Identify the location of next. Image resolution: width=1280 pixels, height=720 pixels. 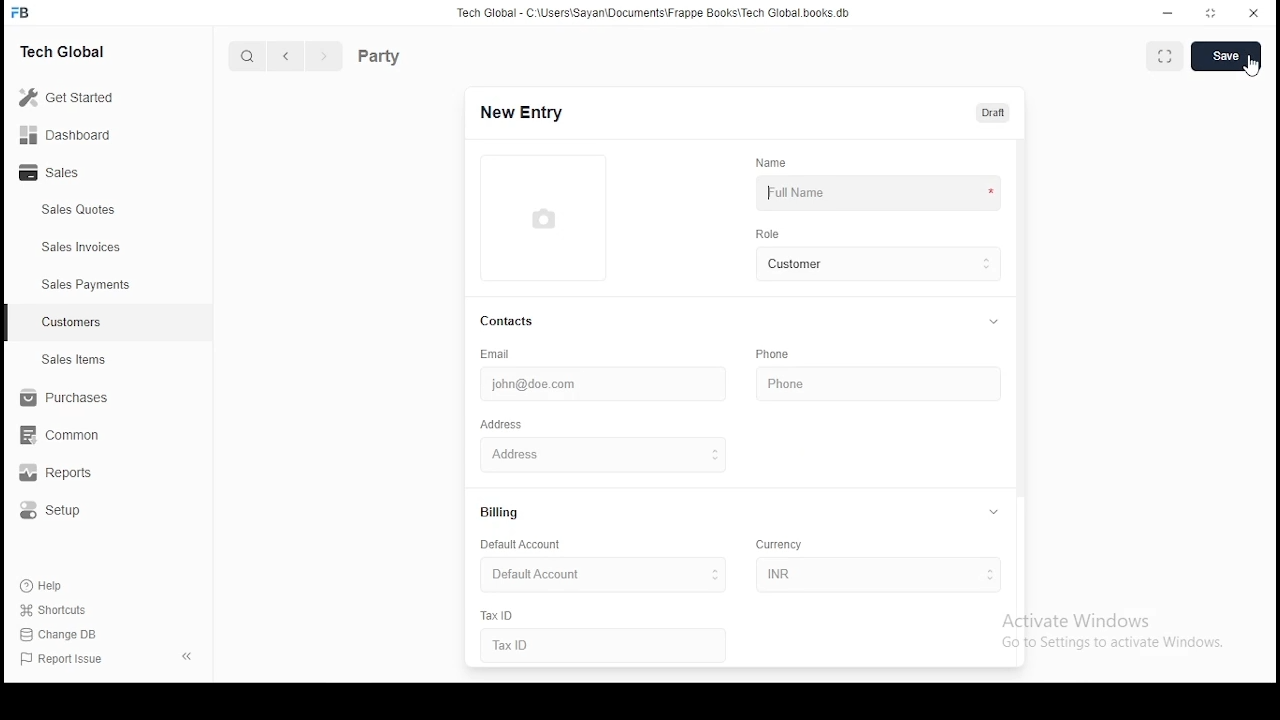
(321, 56).